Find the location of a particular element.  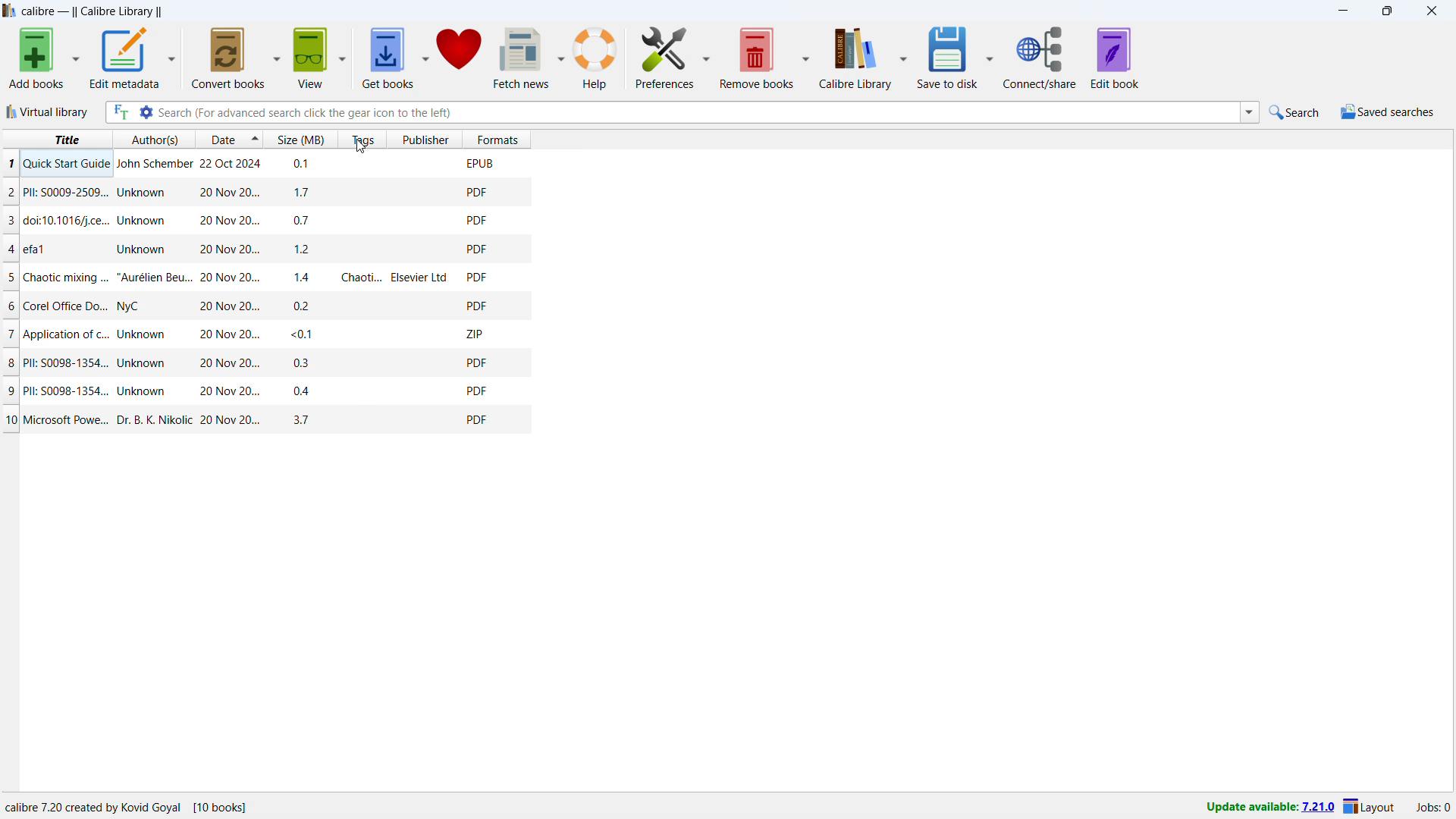

 is located at coordinates (597, 58).